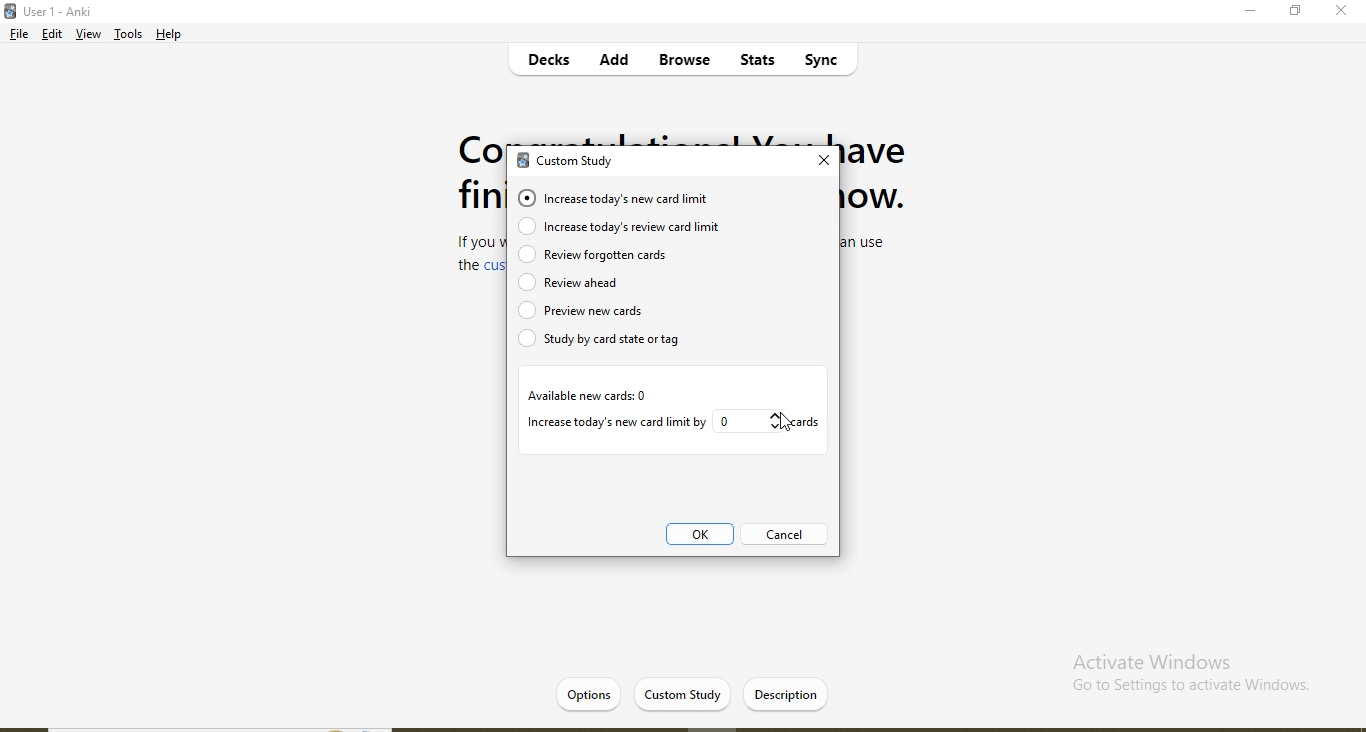 The height and width of the screenshot is (732, 1366). I want to click on review forgotten cards, so click(596, 256).